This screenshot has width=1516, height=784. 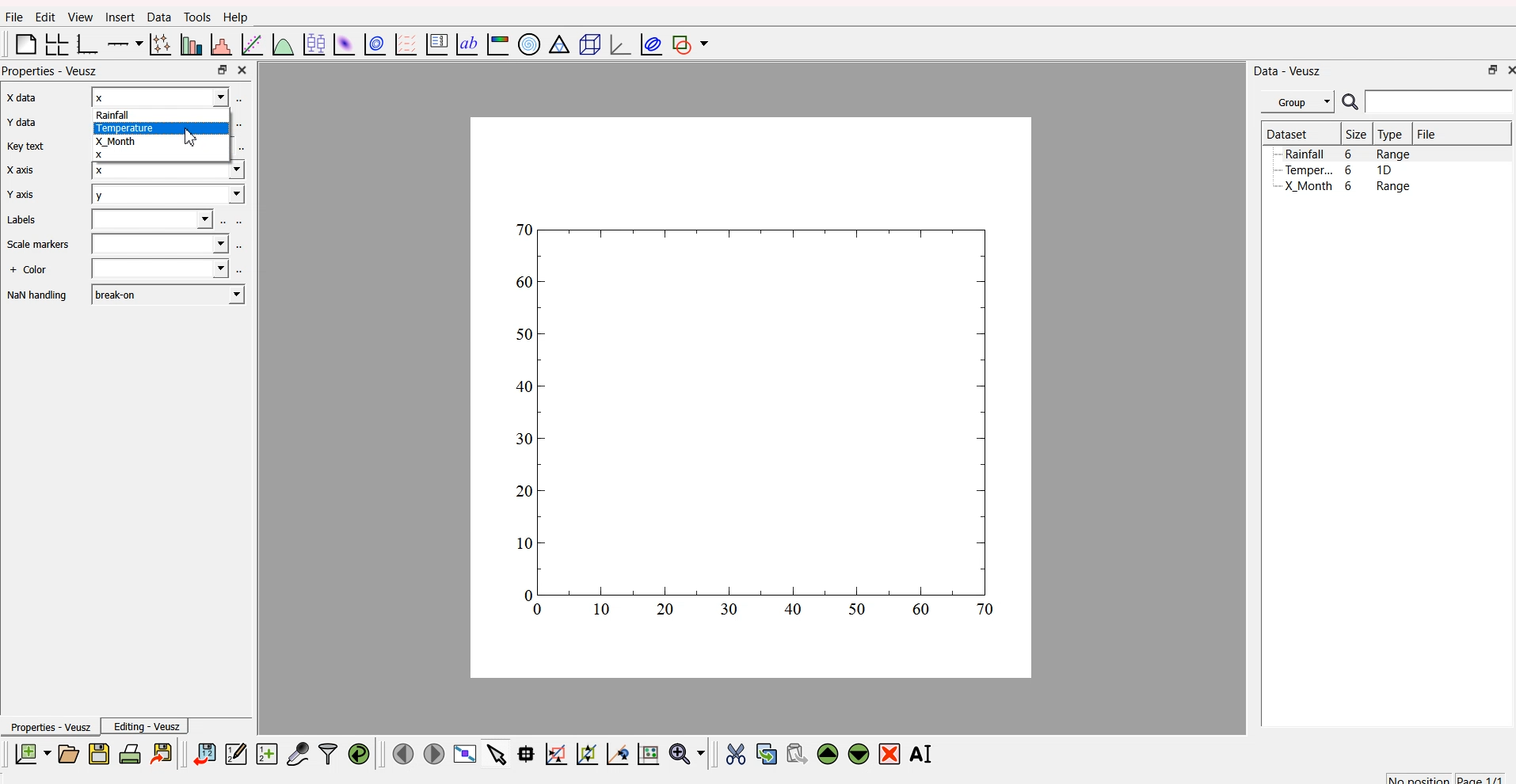 I want to click on plot covariance ellipses, so click(x=648, y=44).